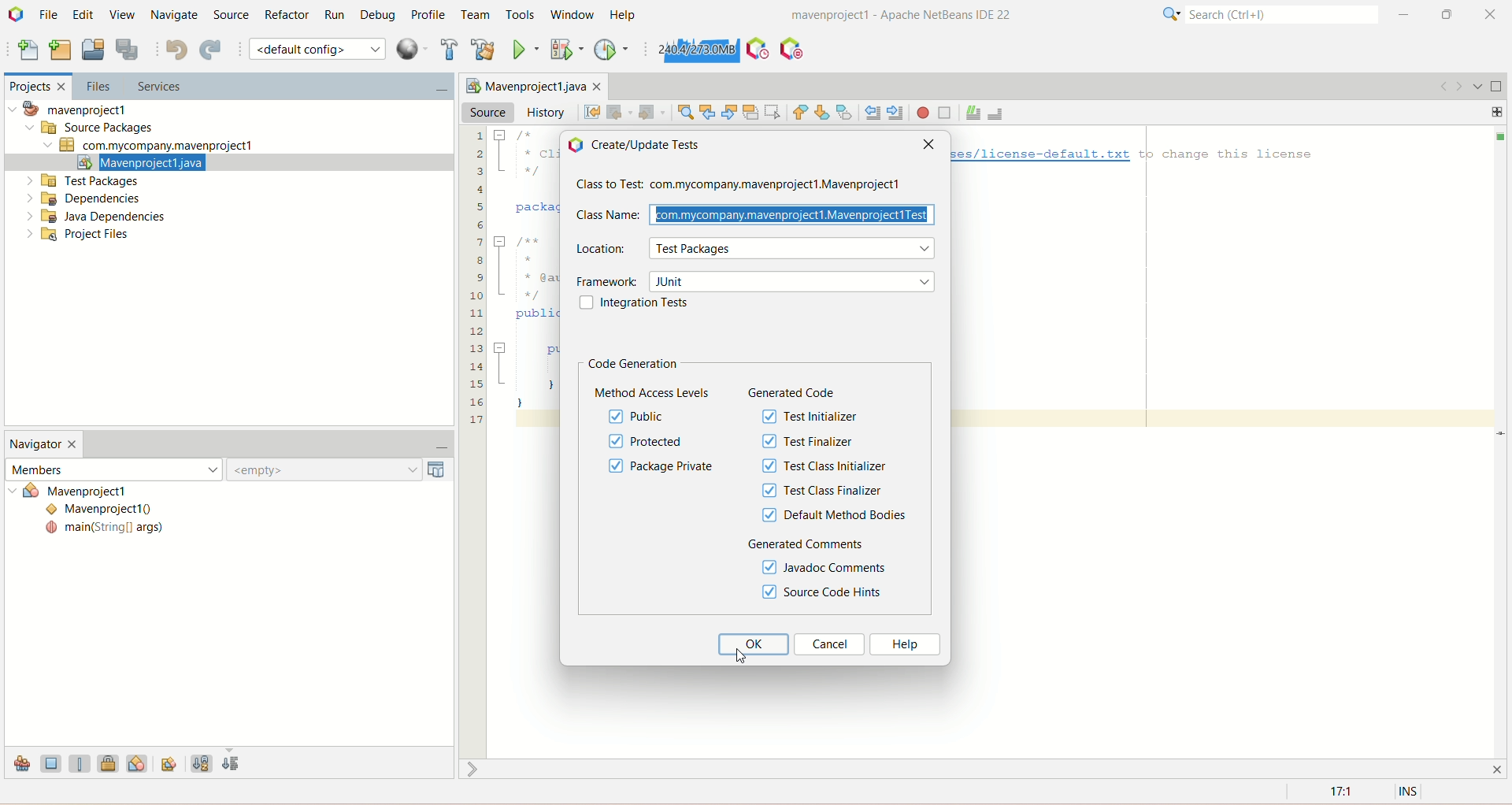  I want to click on empty, so click(341, 469).